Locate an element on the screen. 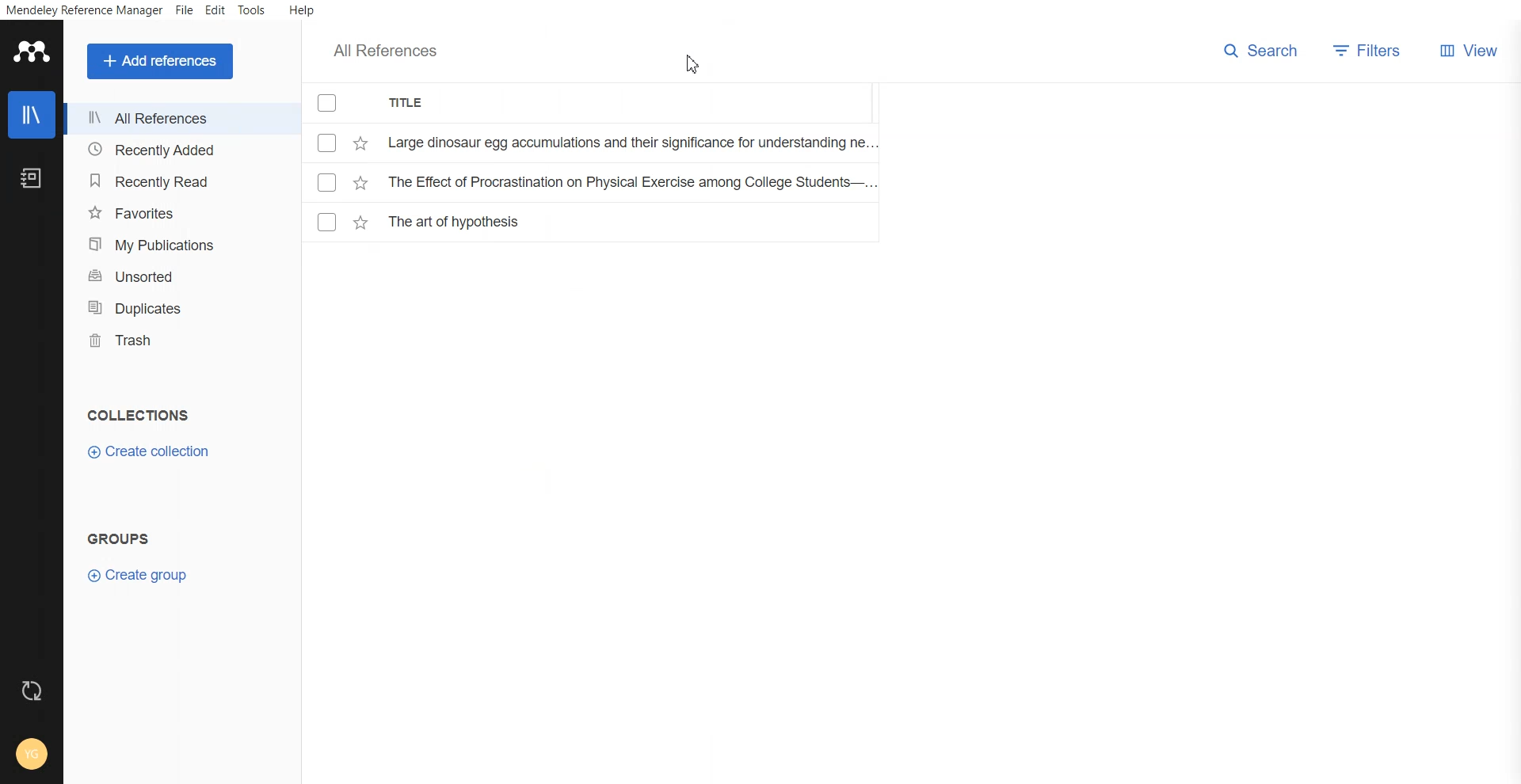  Auto sync is located at coordinates (32, 691).